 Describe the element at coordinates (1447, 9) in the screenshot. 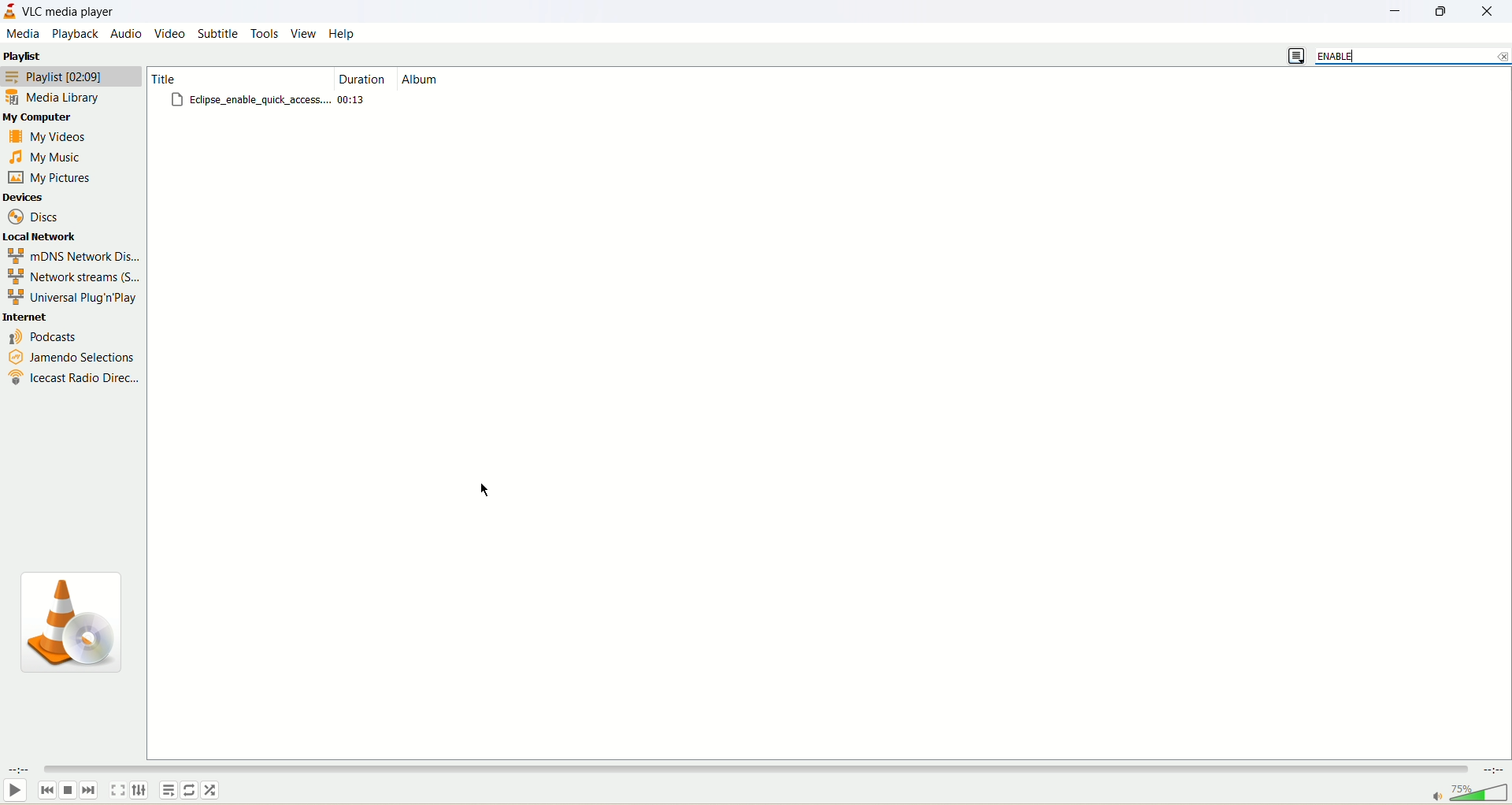

I see `maximize` at that location.